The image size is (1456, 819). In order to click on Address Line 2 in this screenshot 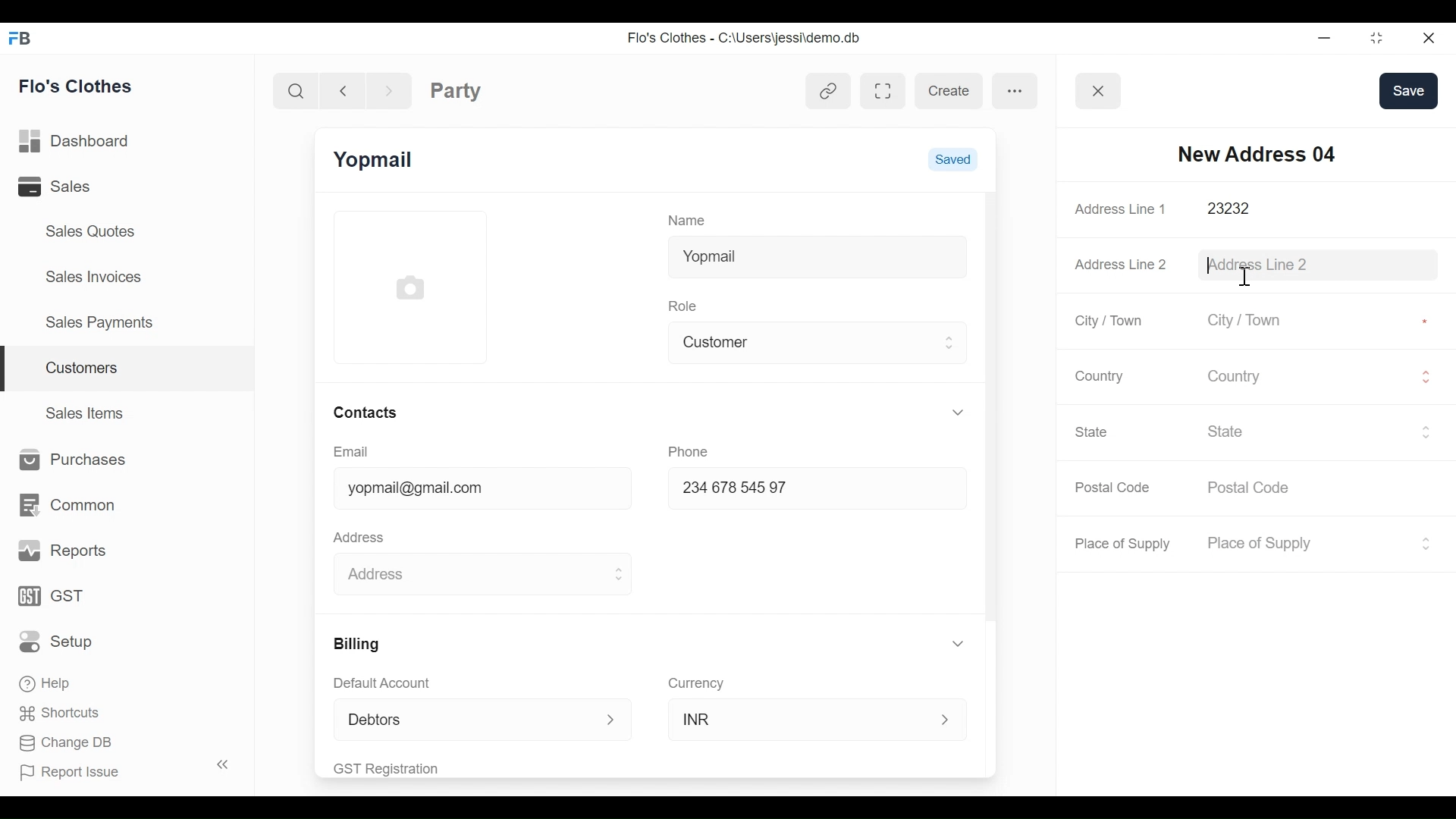, I will do `click(1122, 260)`.